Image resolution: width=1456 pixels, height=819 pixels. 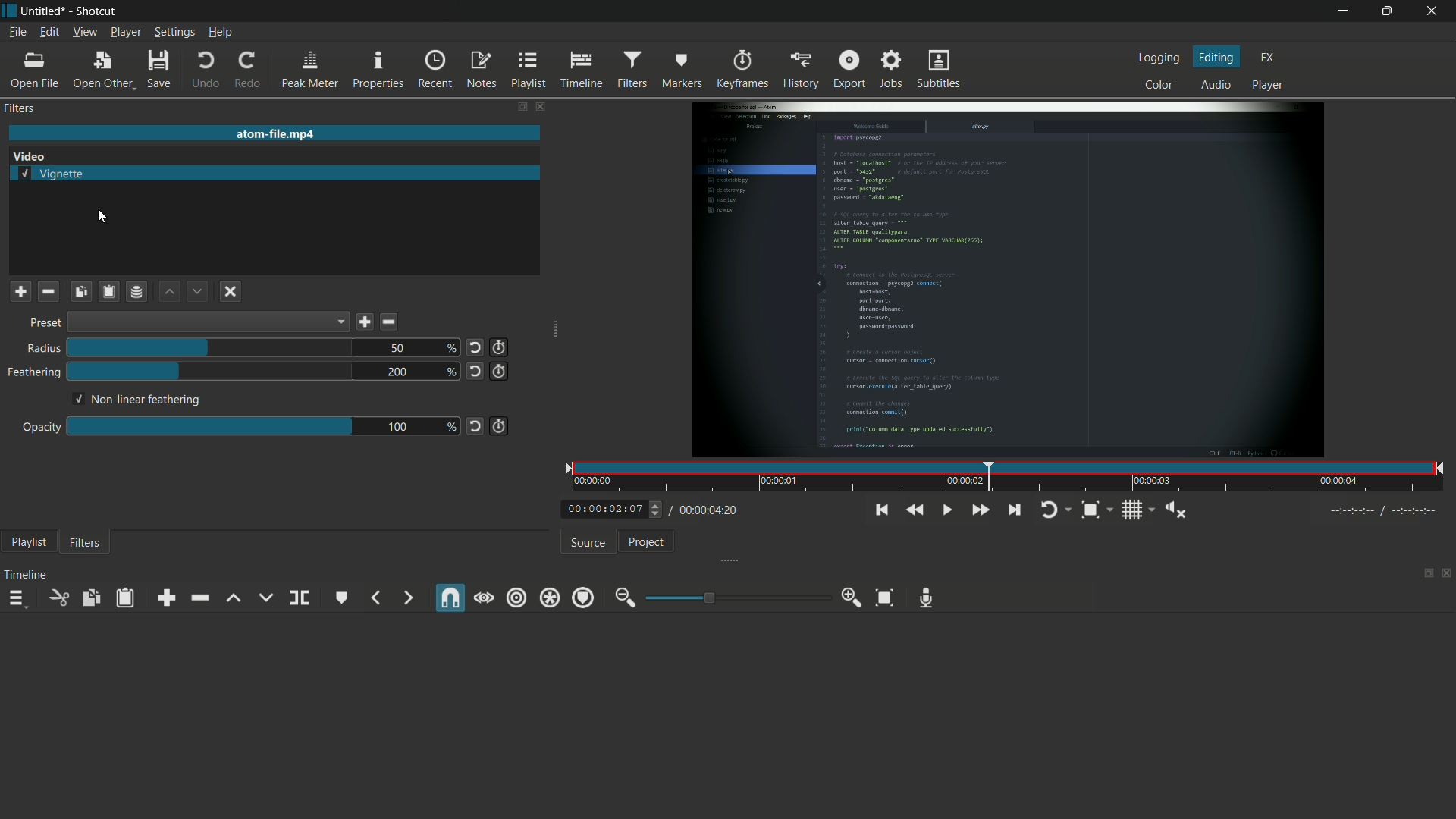 I want to click on quickly play forward, so click(x=981, y=510).